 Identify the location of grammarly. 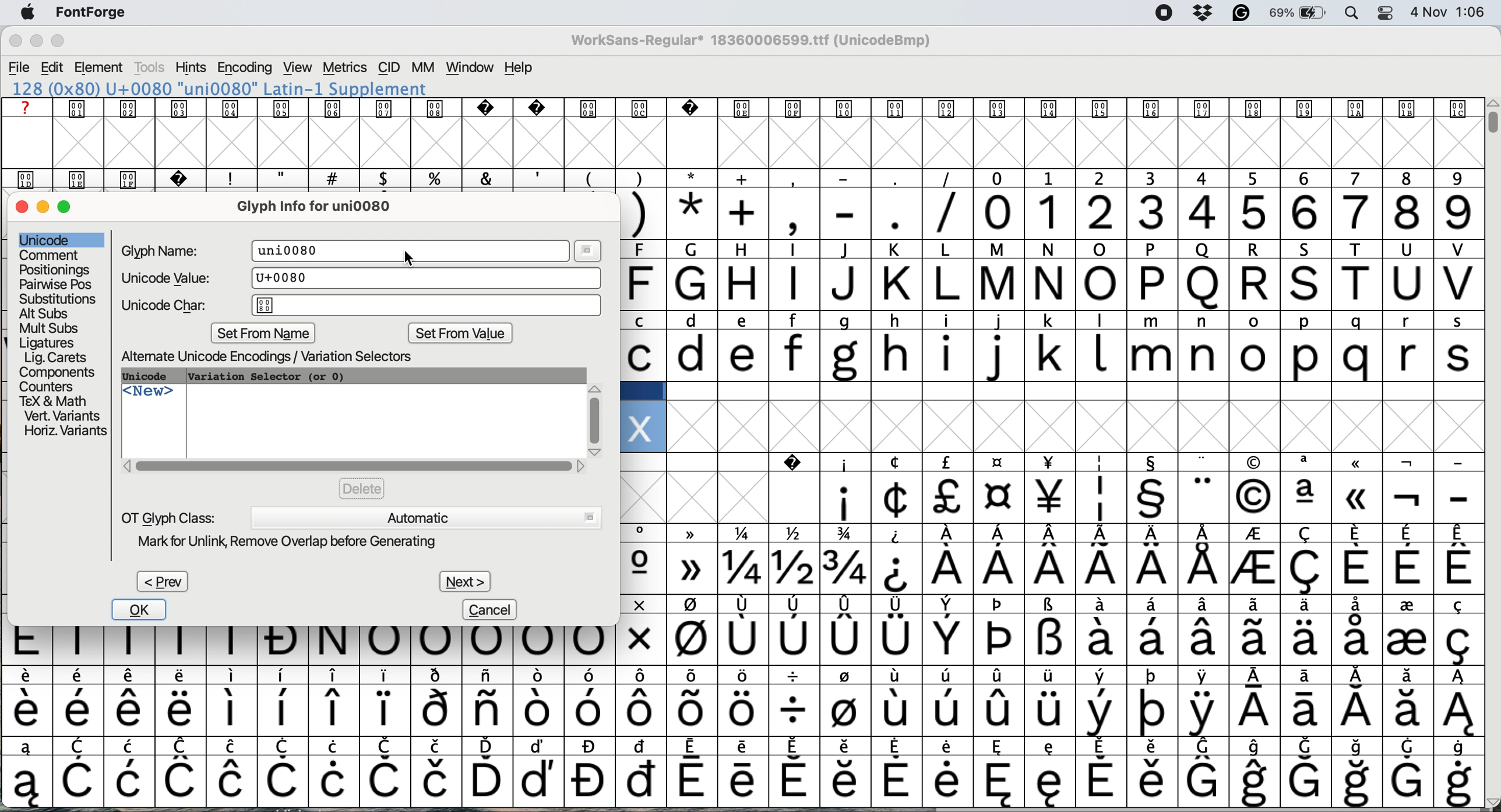
(1239, 13).